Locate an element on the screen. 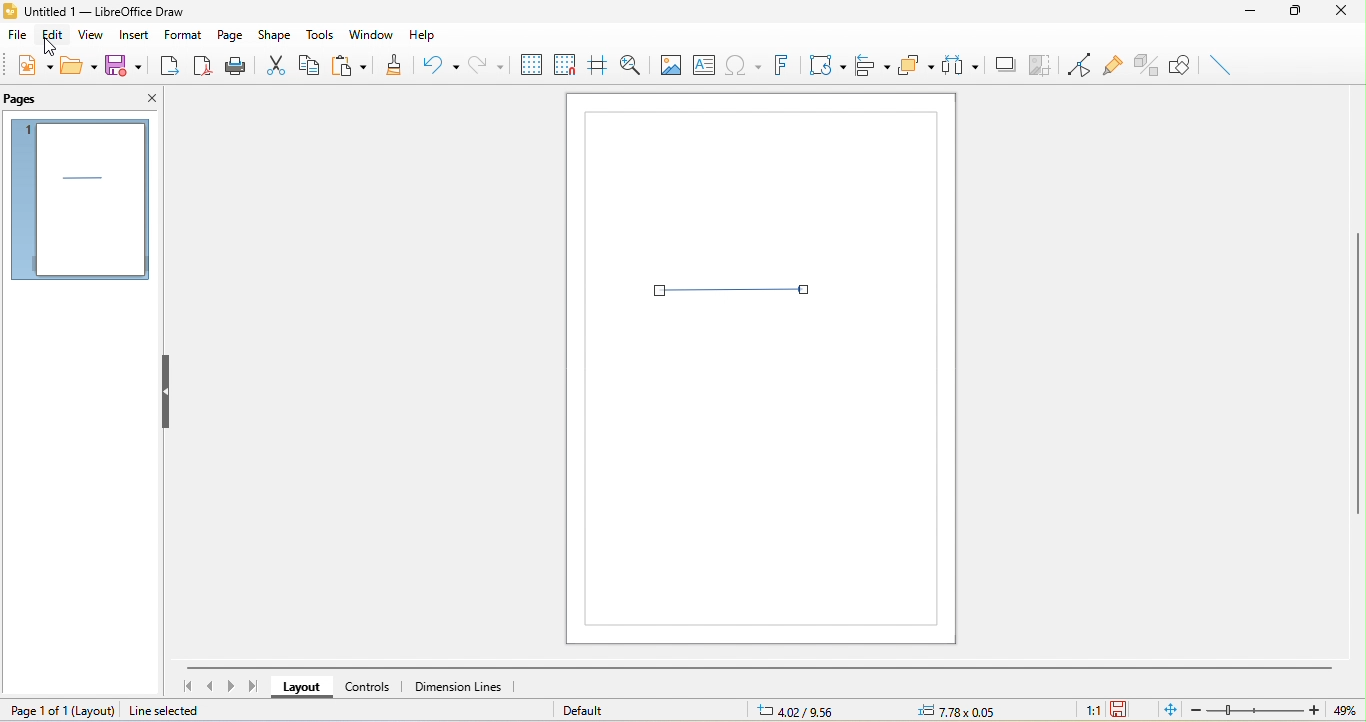  vertical scroll bar is located at coordinates (1357, 371).